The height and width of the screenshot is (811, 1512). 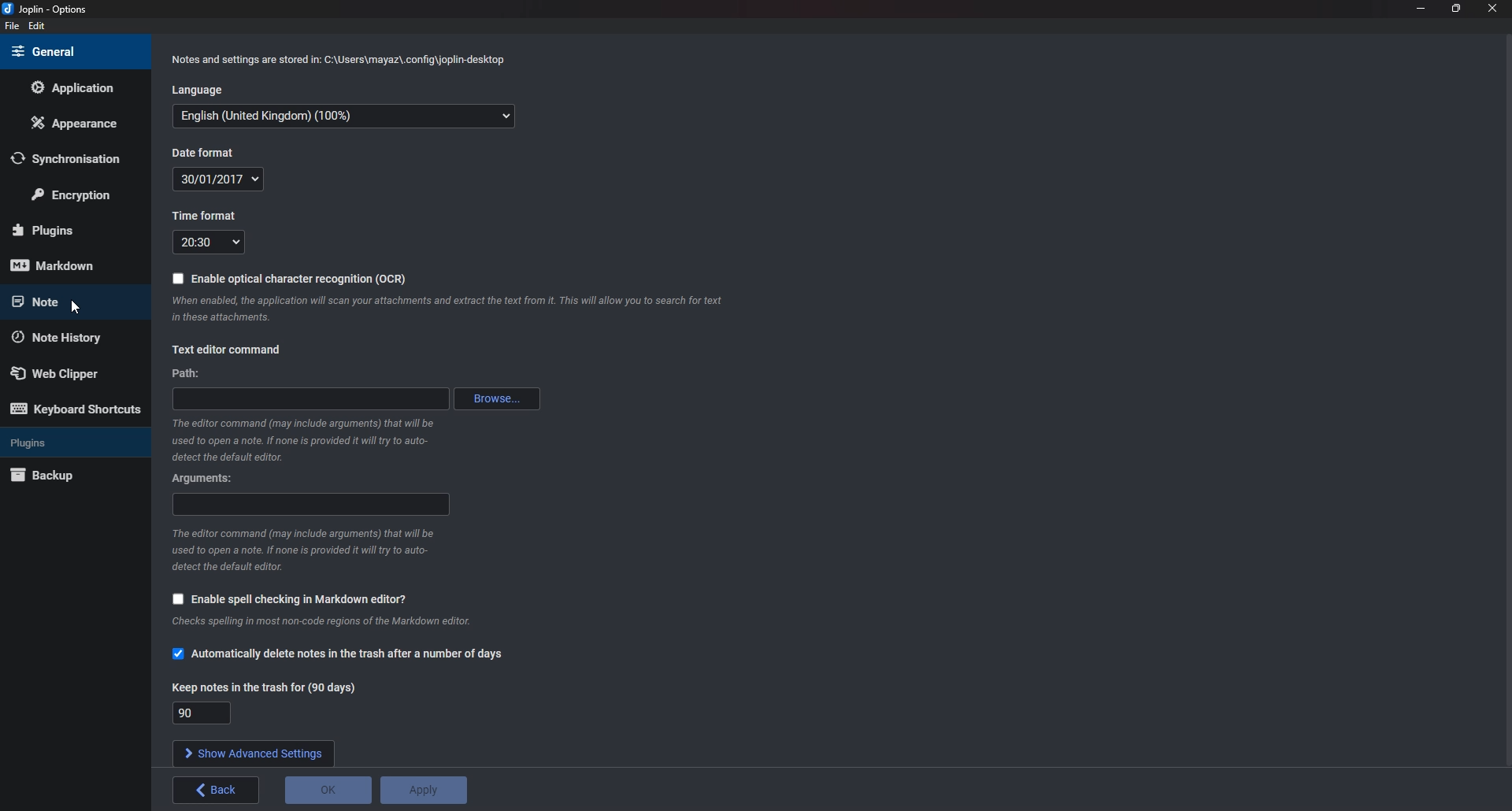 I want to click on Date format, so click(x=204, y=153).